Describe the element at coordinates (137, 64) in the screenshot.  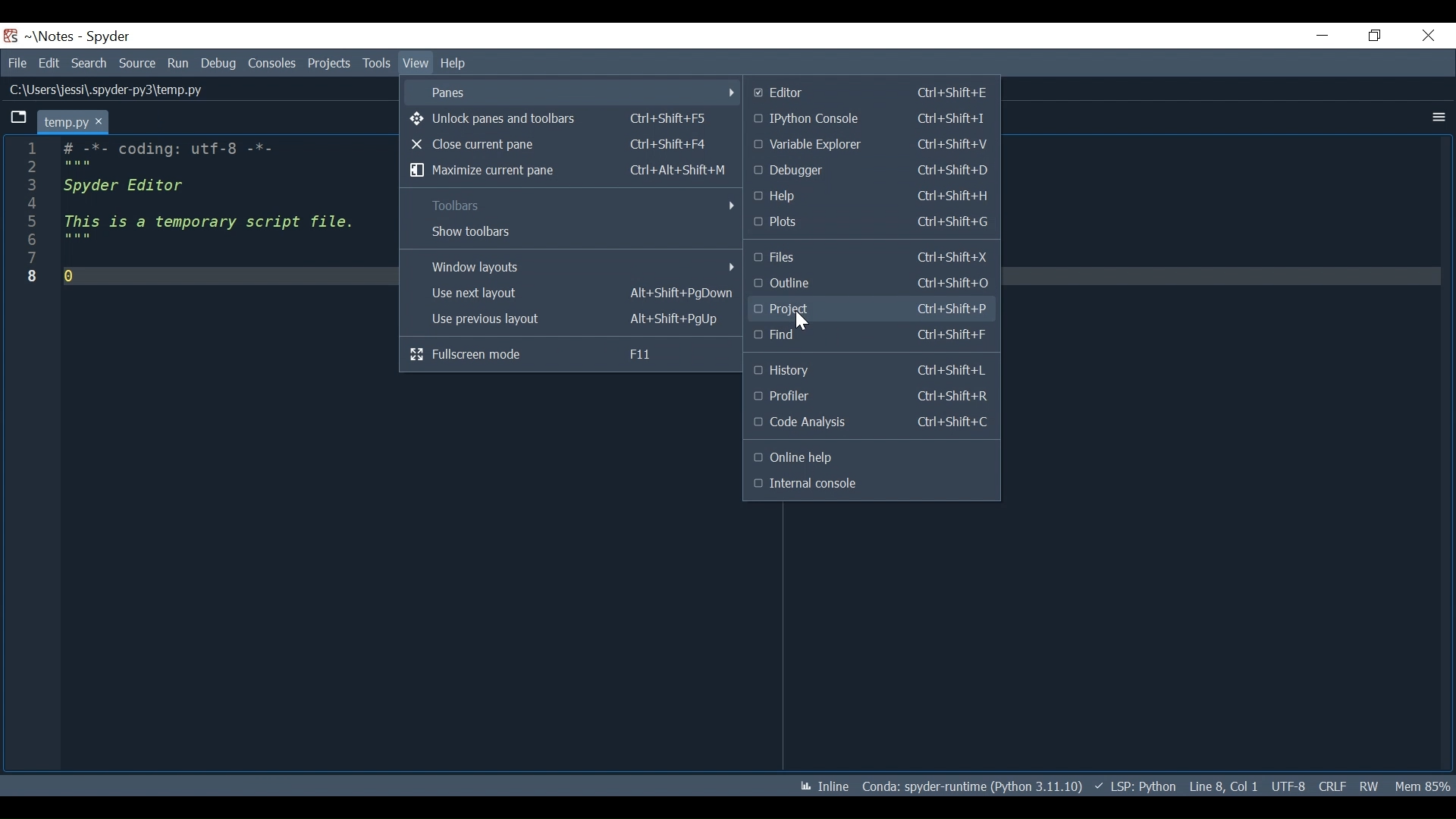
I see `Source` at that location.